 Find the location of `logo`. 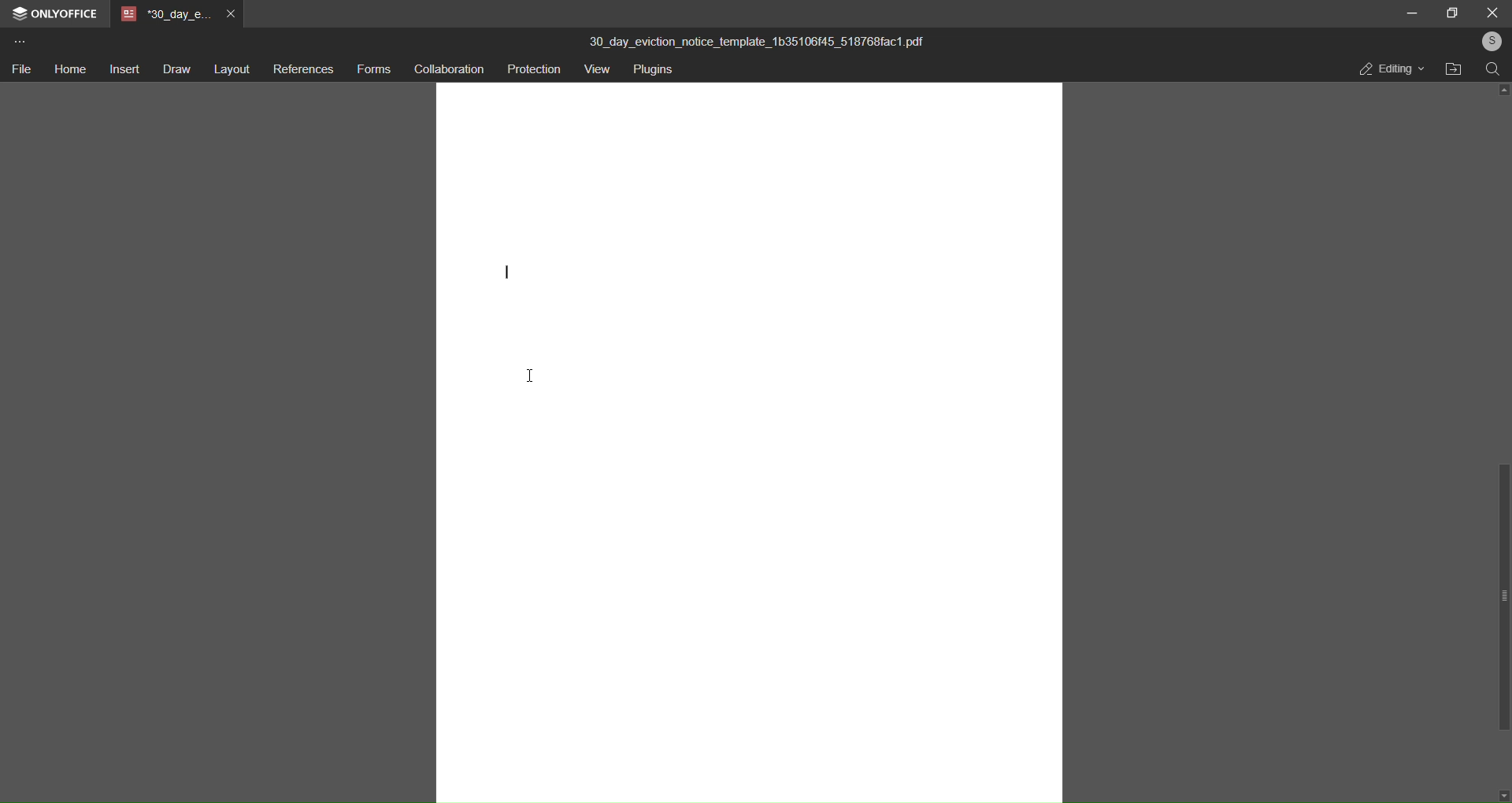

logo is located at coordinates (20, 16).